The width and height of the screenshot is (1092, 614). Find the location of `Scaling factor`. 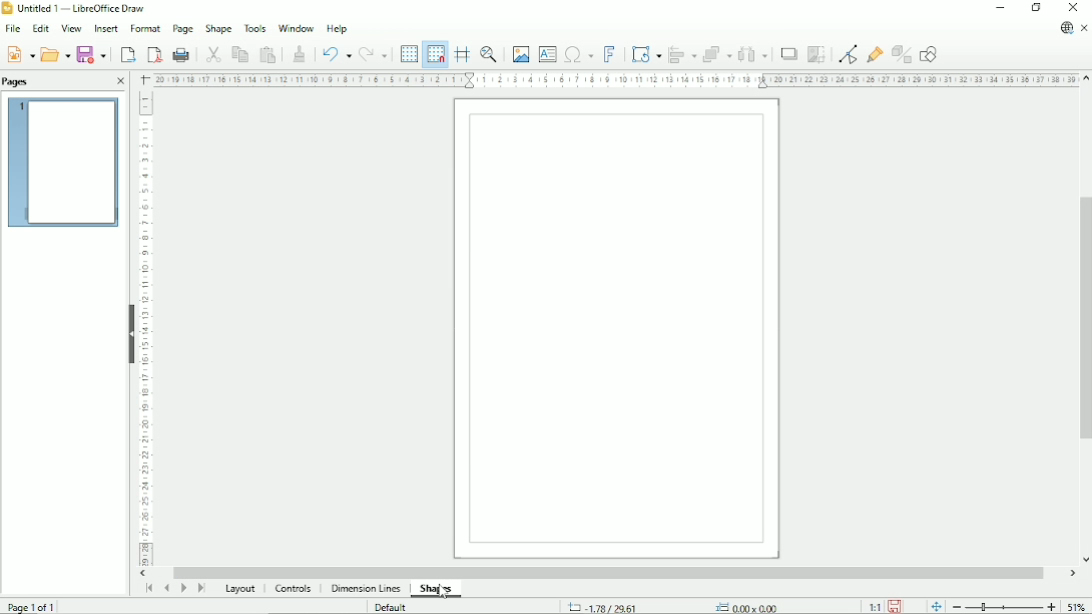

Scaling factor is located at coordinates (874, 606).